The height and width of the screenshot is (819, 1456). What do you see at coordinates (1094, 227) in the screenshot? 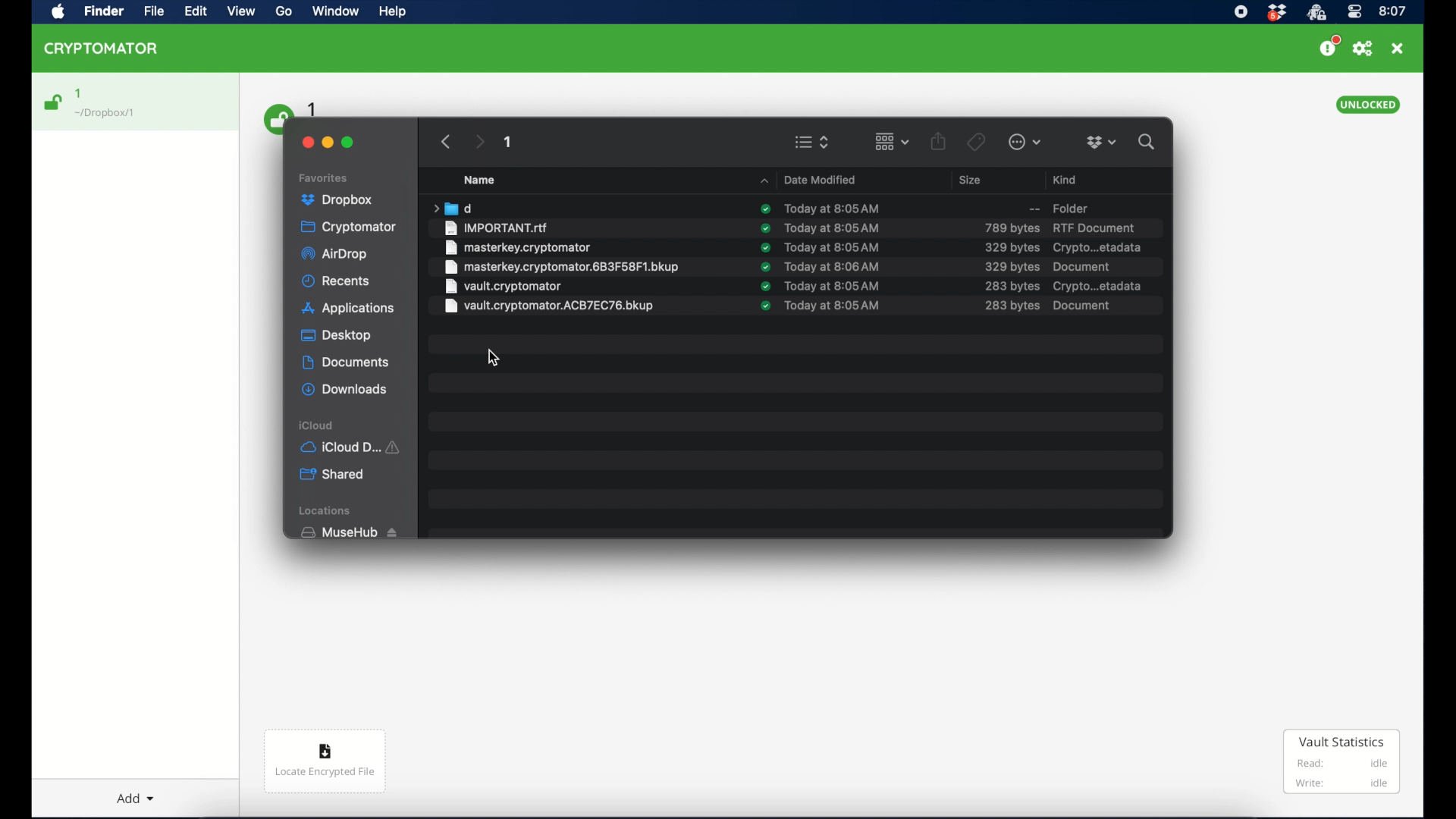
I see `rtf document` at bounding box center [1094, 227].